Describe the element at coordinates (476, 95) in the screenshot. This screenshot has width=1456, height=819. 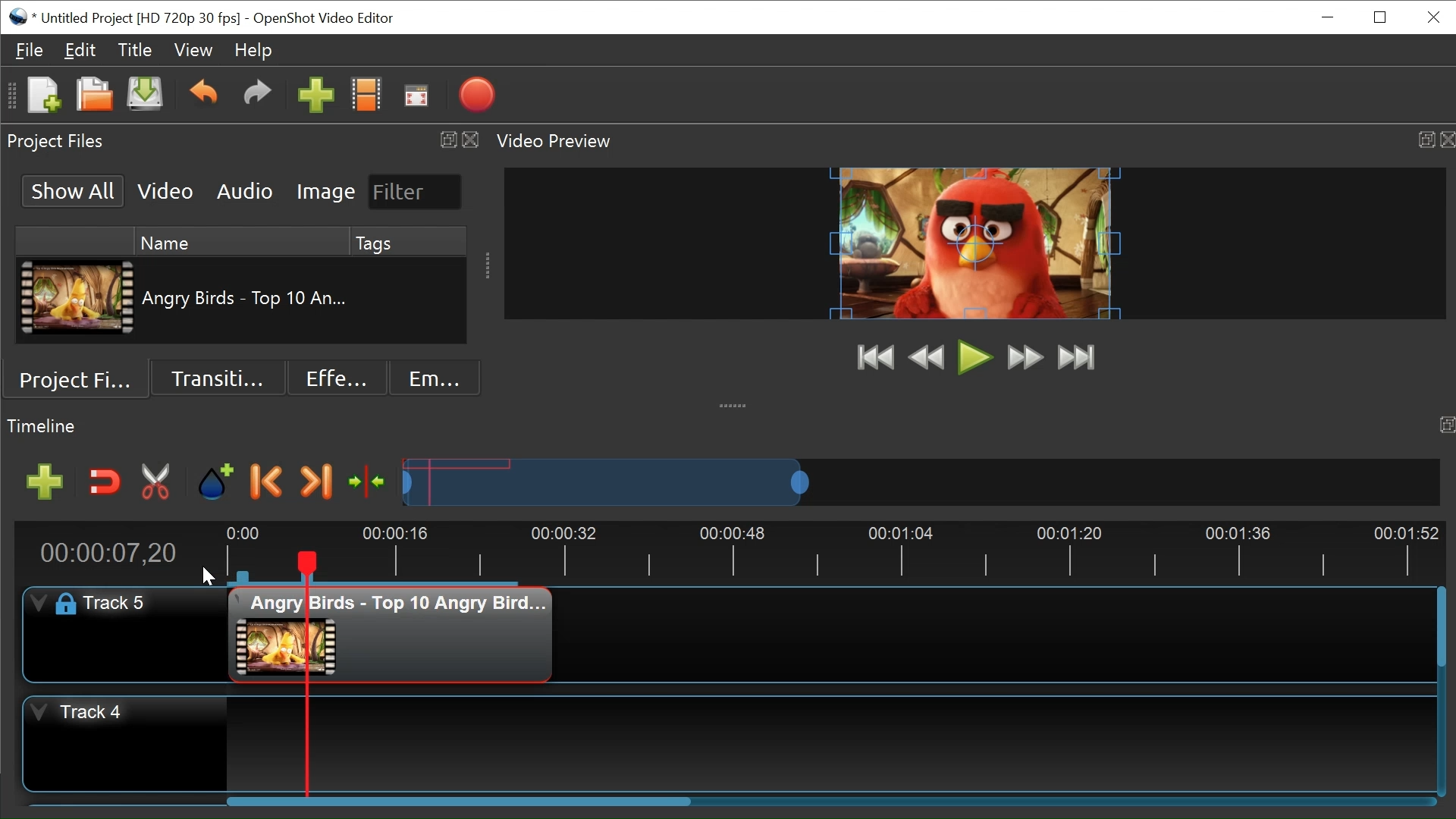
I see `Export Video` at that location.